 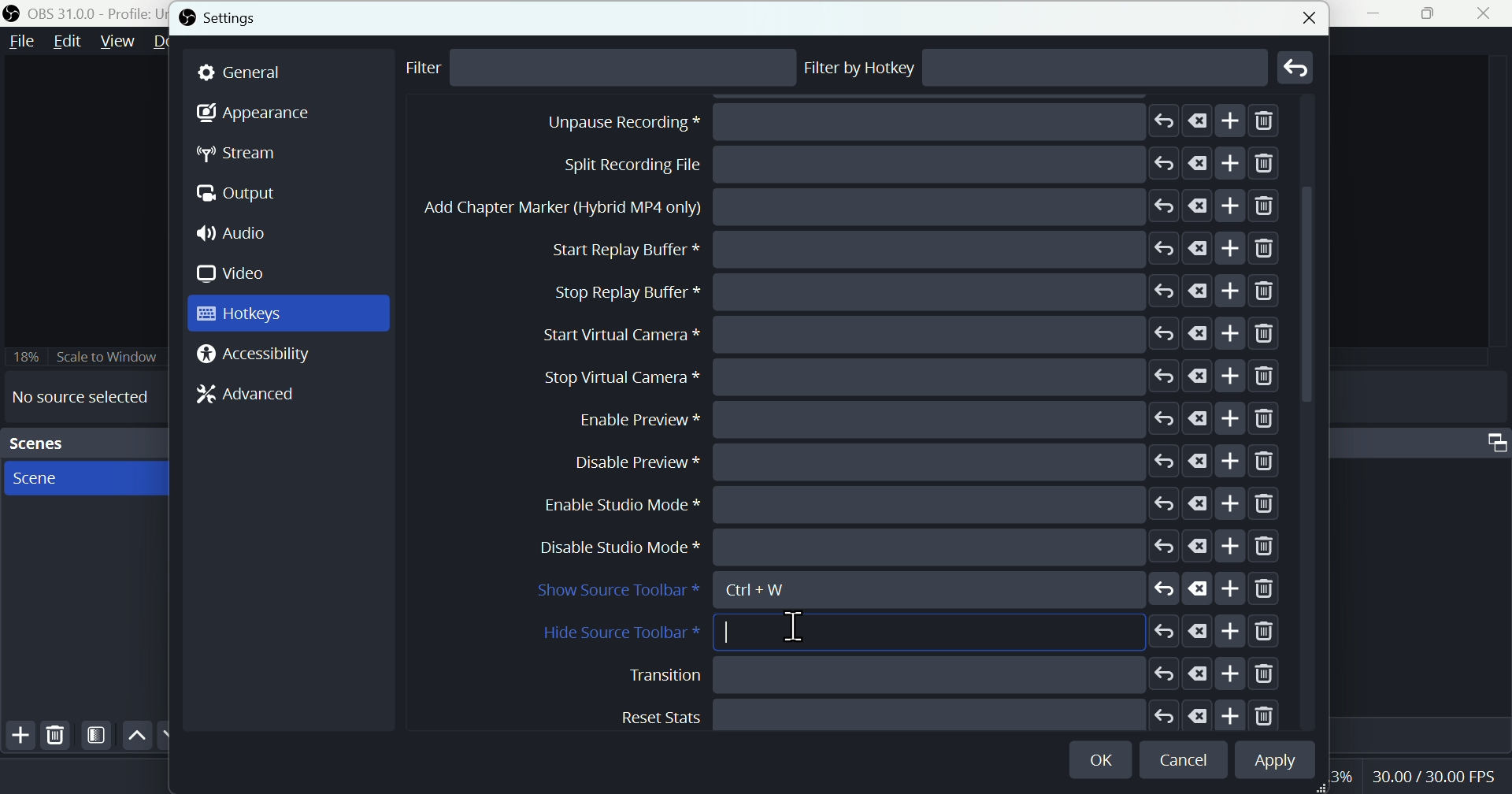 What do you see at coordinates (114, 42) in the screenshot?
I see `View` at bounding box center [114, 42].